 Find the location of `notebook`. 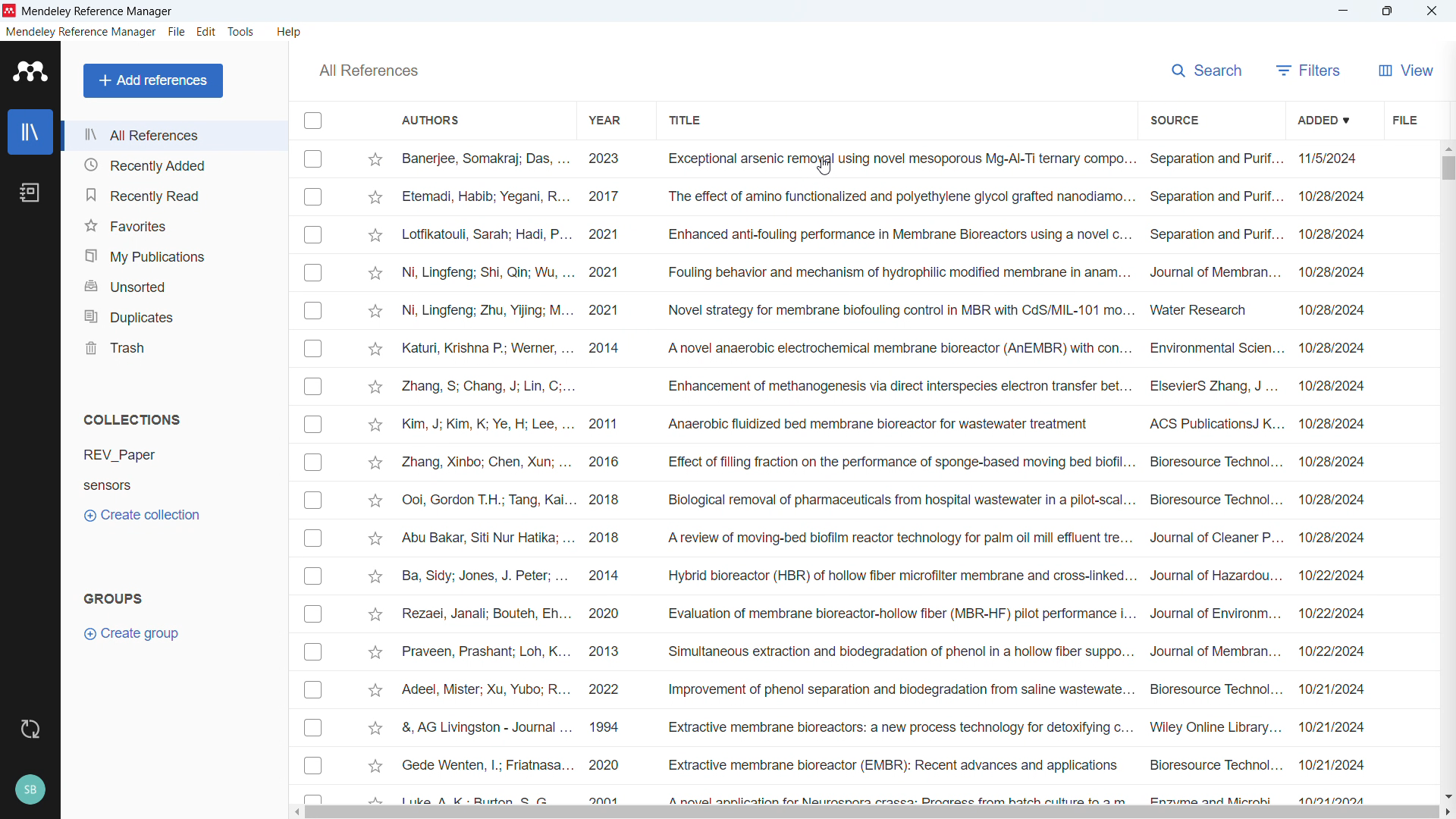

notebook is located at coordinates (30, 193).